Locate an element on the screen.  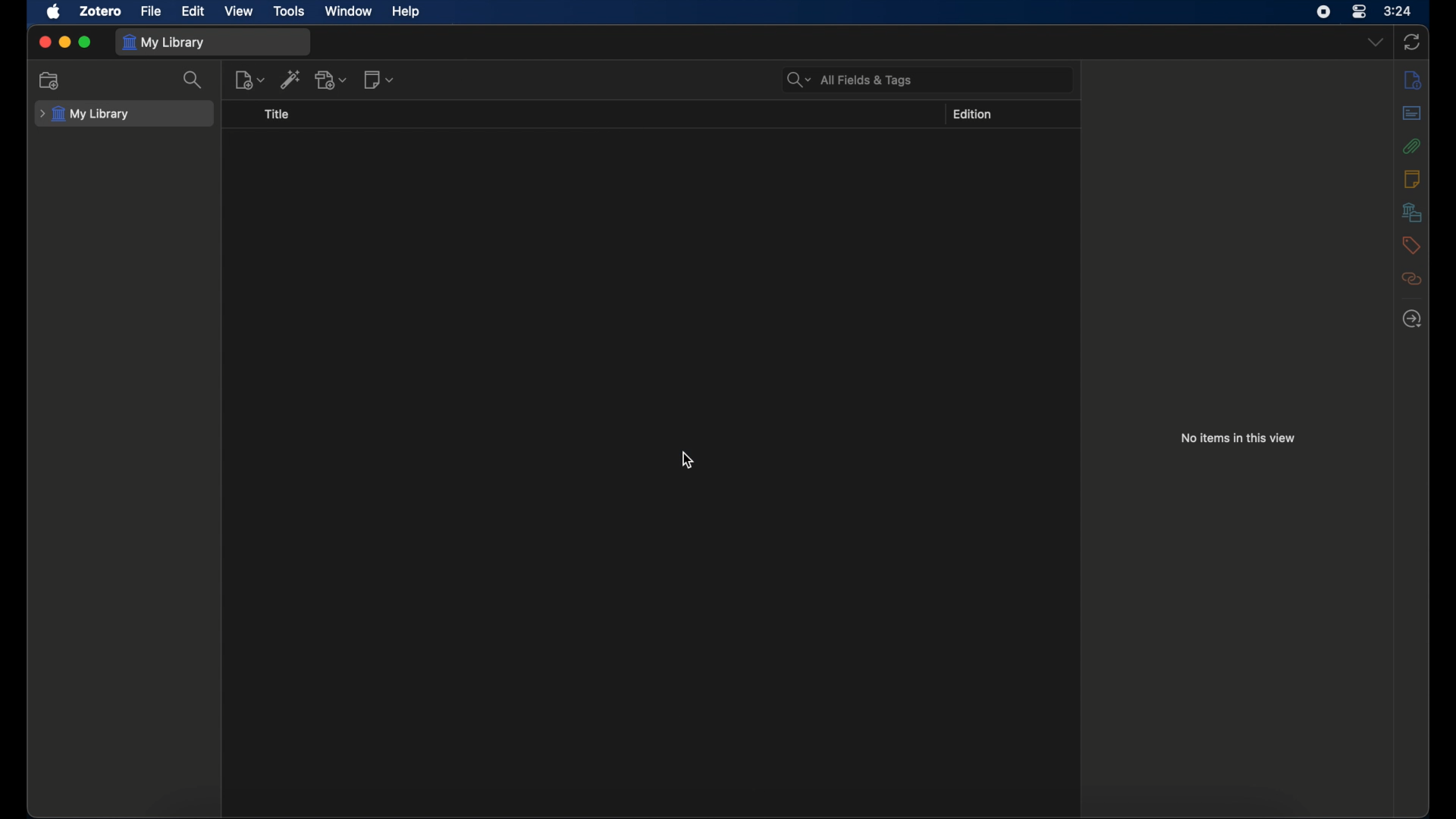
view is located at coordinates (238, 11).